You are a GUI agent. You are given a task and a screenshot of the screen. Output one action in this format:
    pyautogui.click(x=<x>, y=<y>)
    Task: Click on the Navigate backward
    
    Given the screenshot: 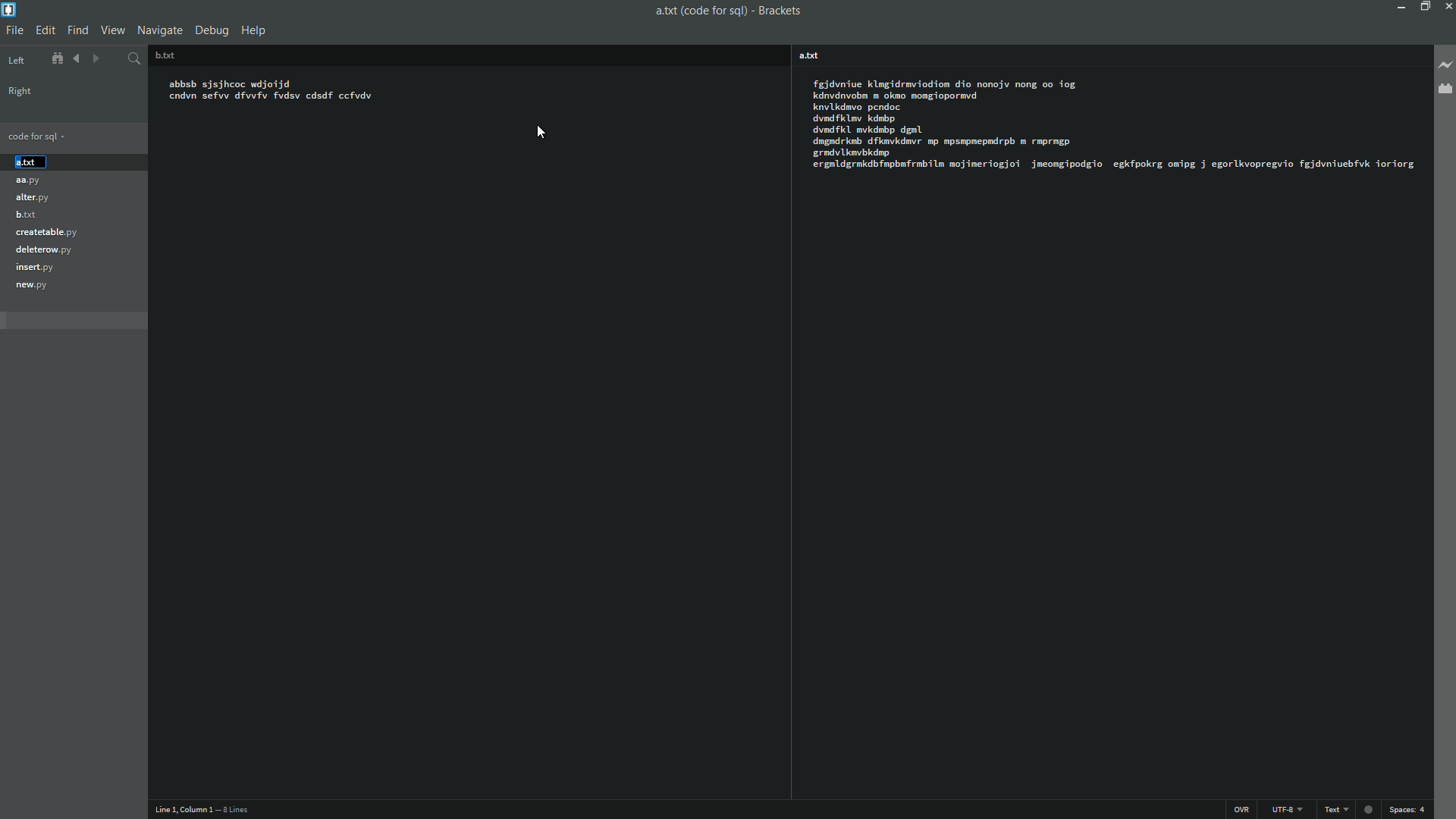 What is the action you would take?
    pyautogui.click(x=77, y=58)
    